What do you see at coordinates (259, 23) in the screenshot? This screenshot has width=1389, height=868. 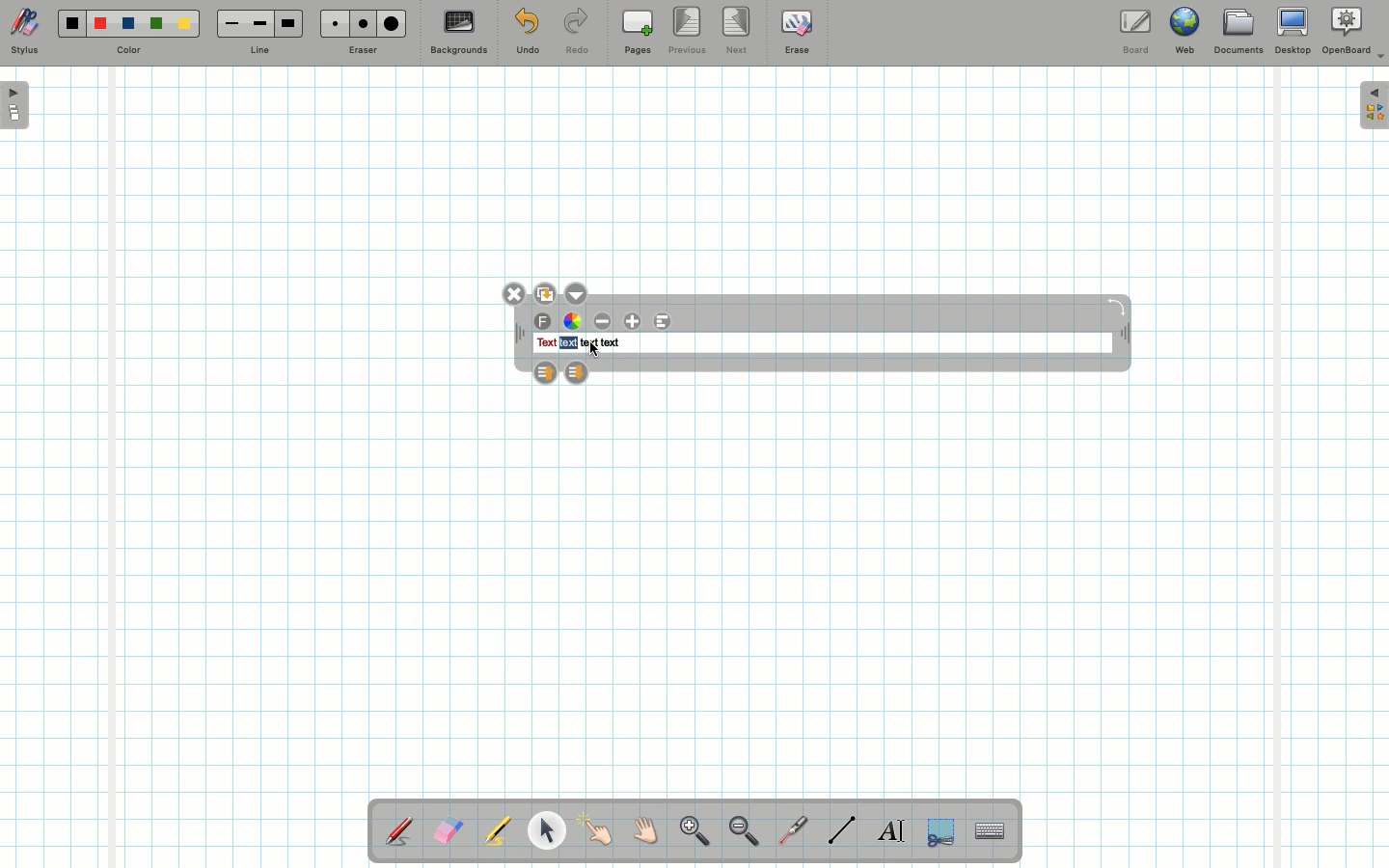 I see `Medium line` at bounding box center [259, 23].